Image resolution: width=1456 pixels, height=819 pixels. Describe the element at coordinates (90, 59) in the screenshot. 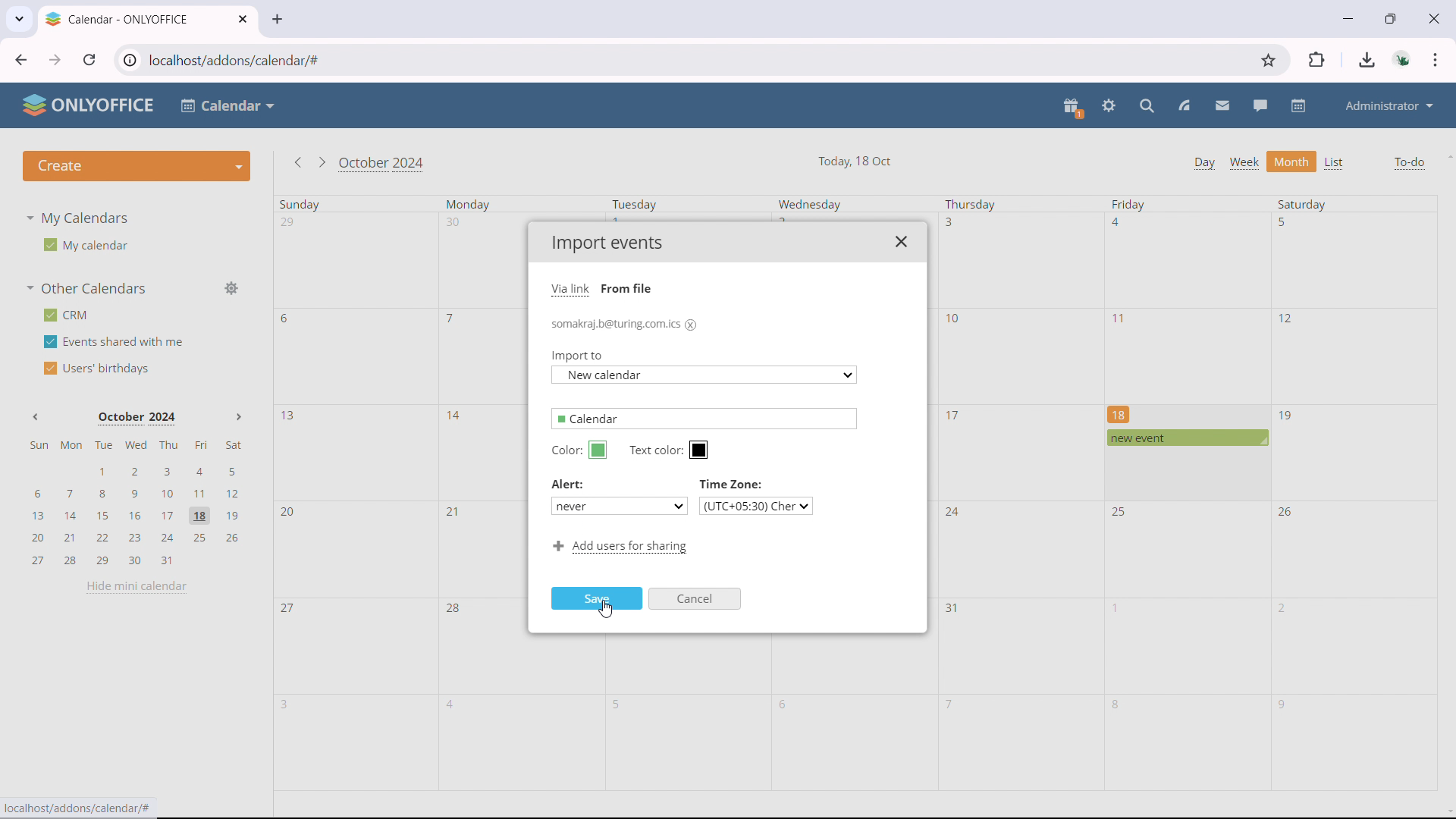

I see `reload this page` at that location.